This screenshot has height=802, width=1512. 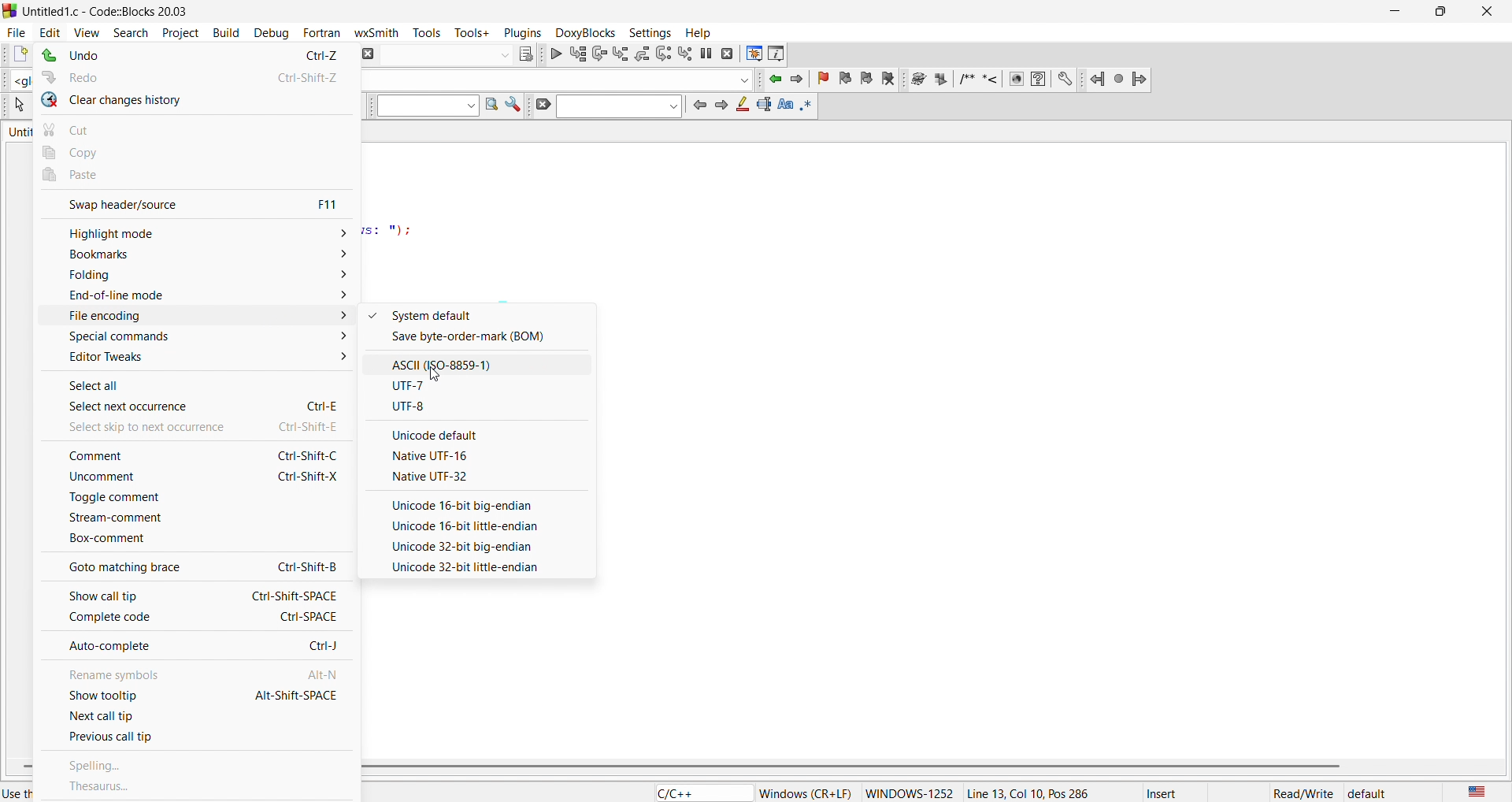 What do you see at coordinates (555, 55) in the screenshot?
I see `debug continue` at bounding box center [555, 55].